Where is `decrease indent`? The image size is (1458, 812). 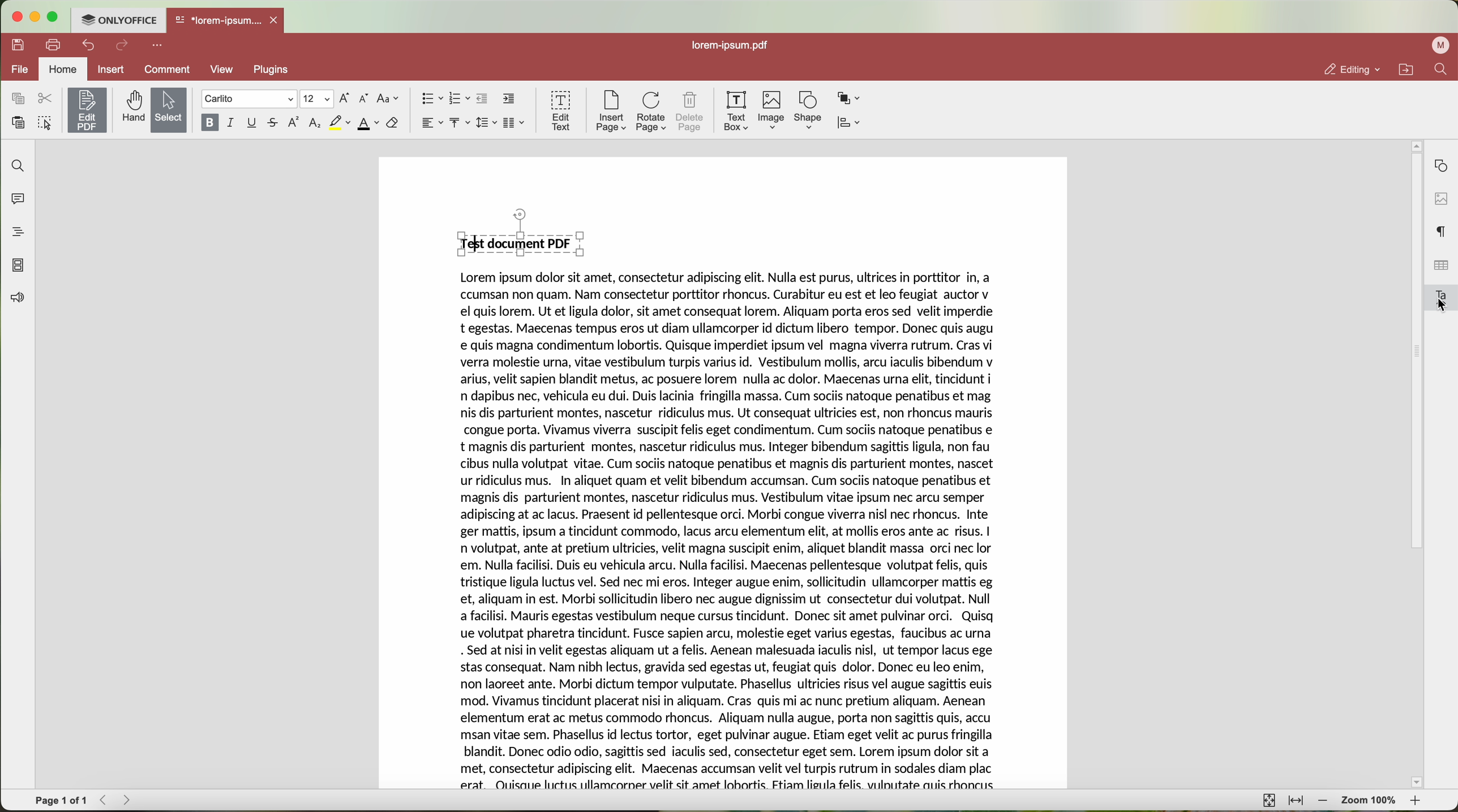 decrease indent is located at coordinates (484, 99).